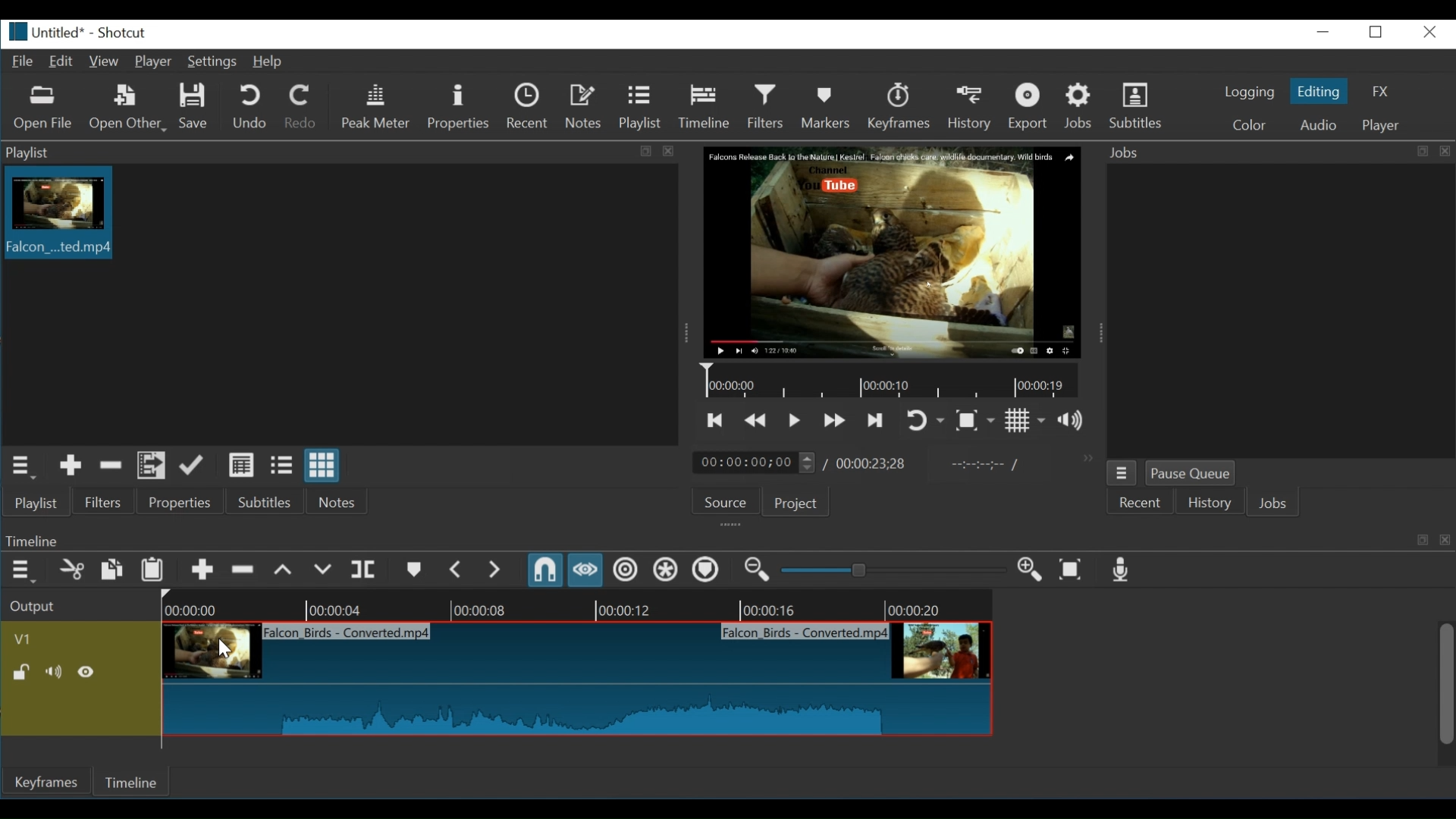  Describe the element at coordinates (766, 106) in the screenshot. I see `Filters` at that location.